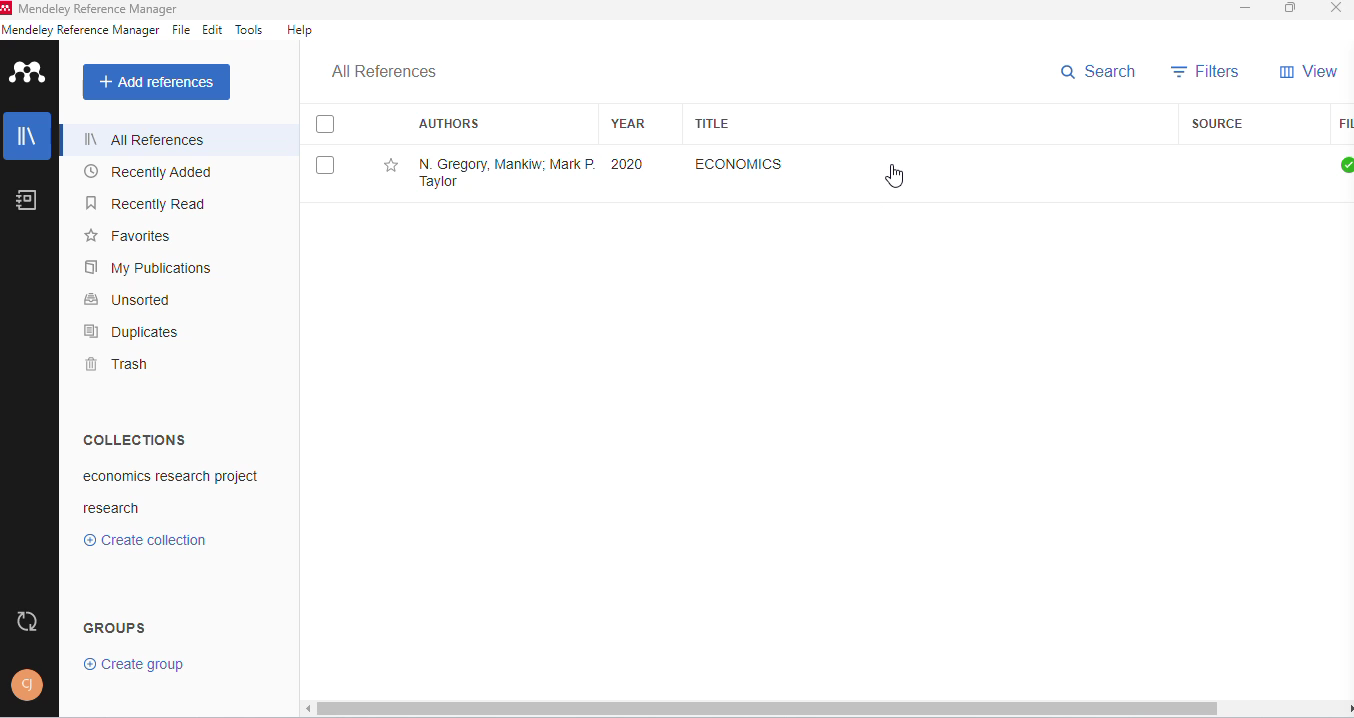 Image resolution: width=1354 pixels, height=718 pixels. Describe the element at coordinates (505, 172) in the screenshot. I see `N. Gregory Mankiw, Mark P. Taylor` at that location.